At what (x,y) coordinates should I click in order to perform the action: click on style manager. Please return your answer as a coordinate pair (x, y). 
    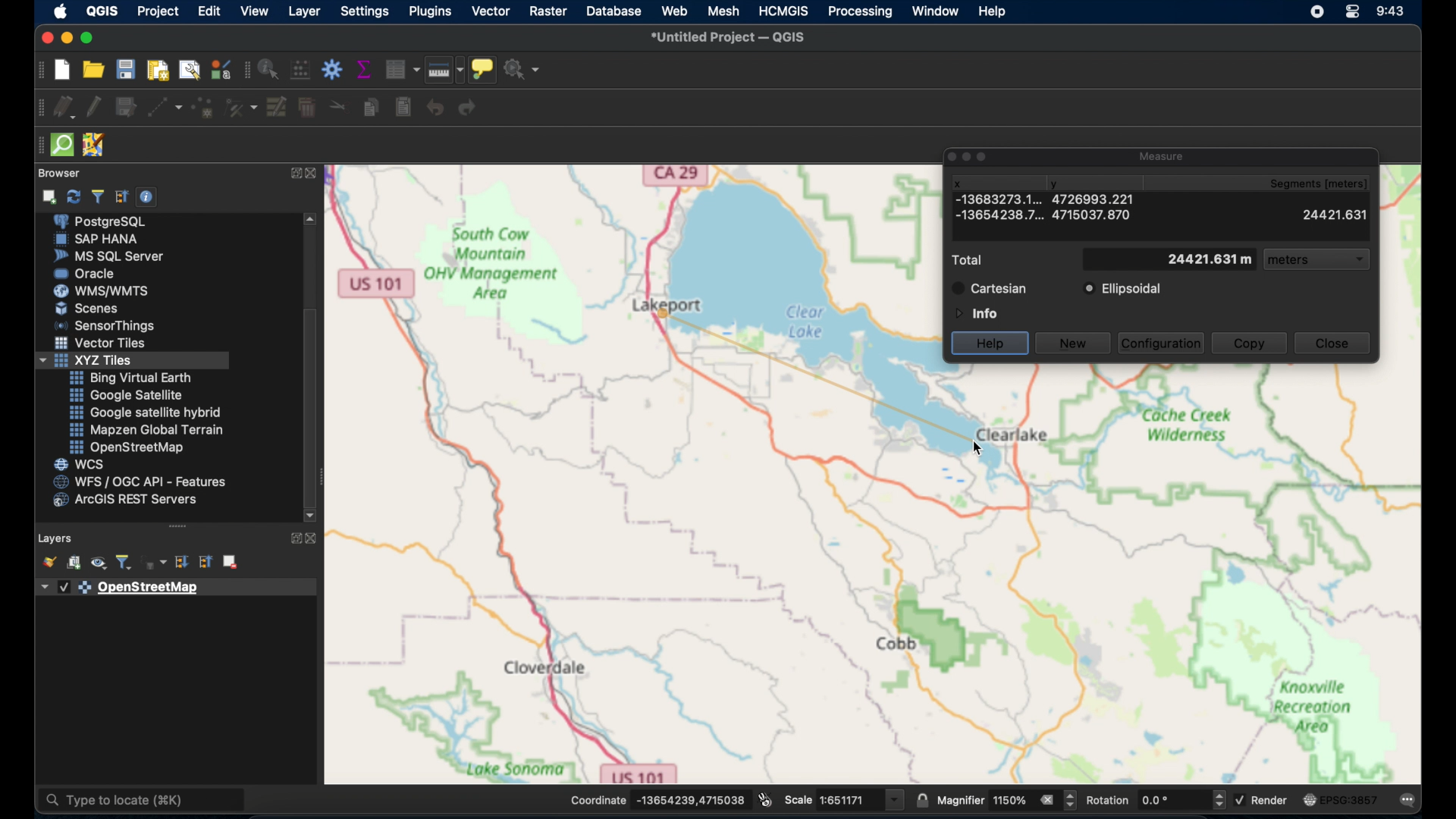
    Looking at the image, I should click on (220, 69).